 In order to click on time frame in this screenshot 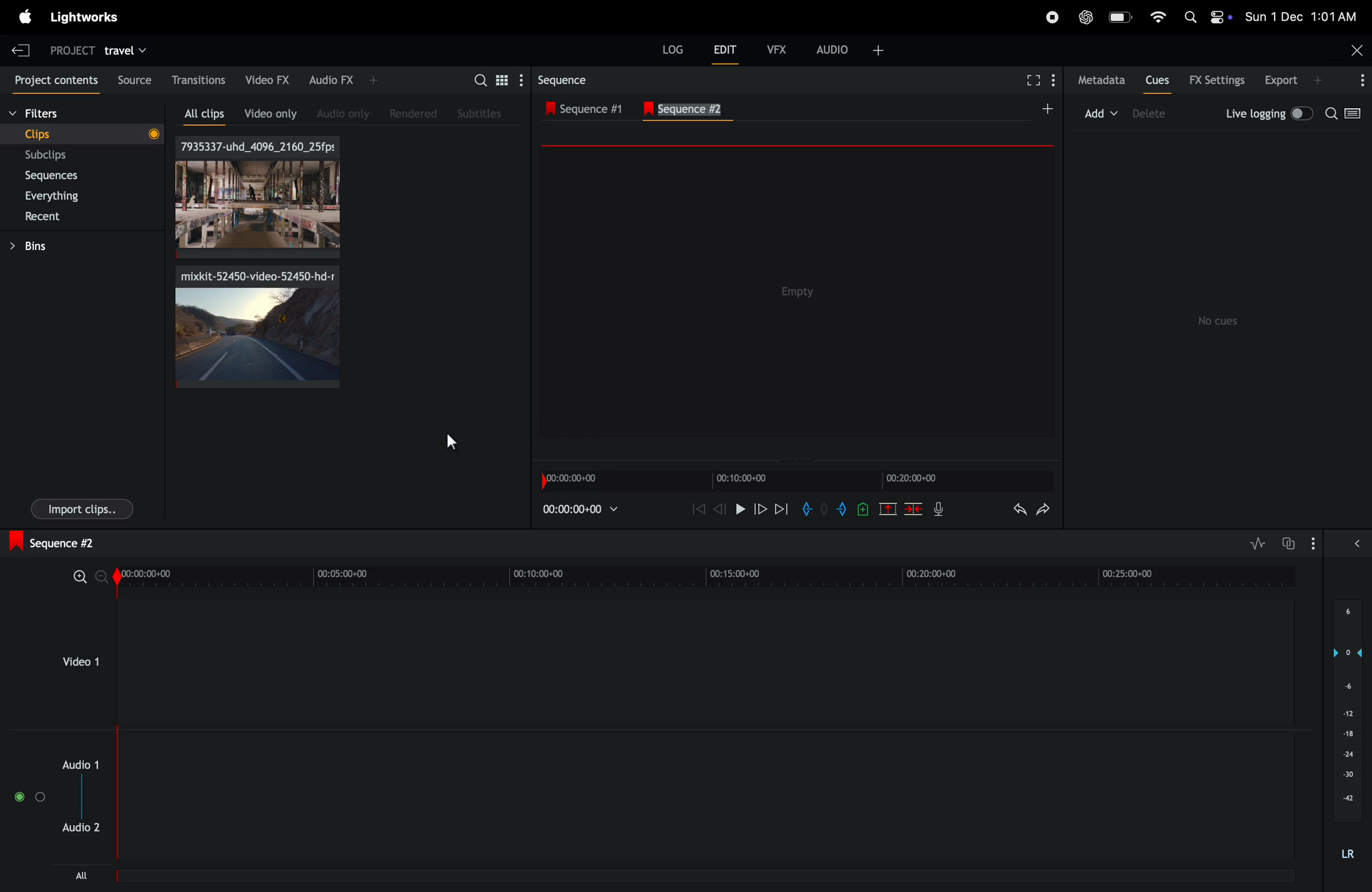, I will do `click(708, 574)`.